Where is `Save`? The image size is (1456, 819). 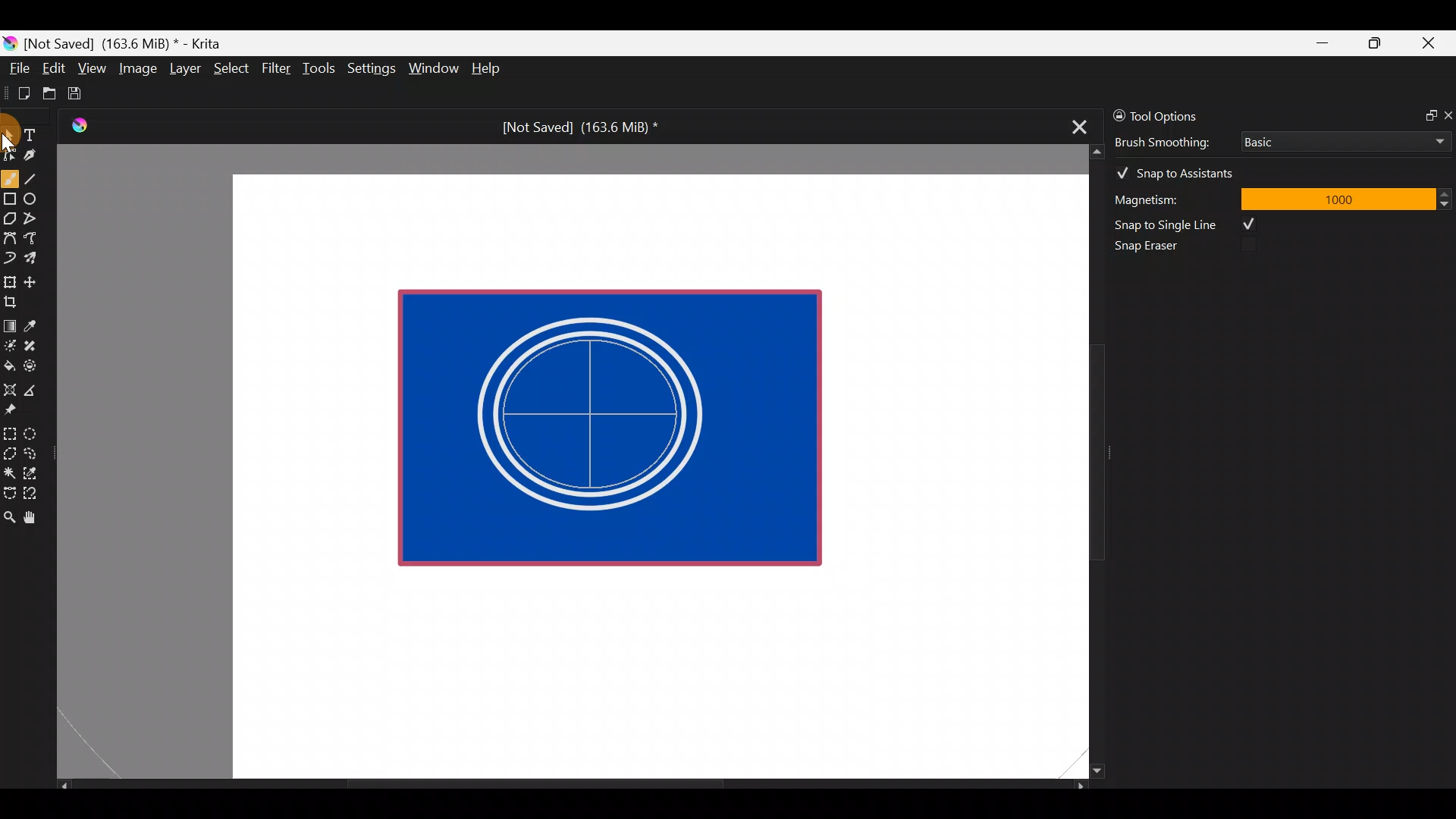
Save is located at coordinates (85, 93).